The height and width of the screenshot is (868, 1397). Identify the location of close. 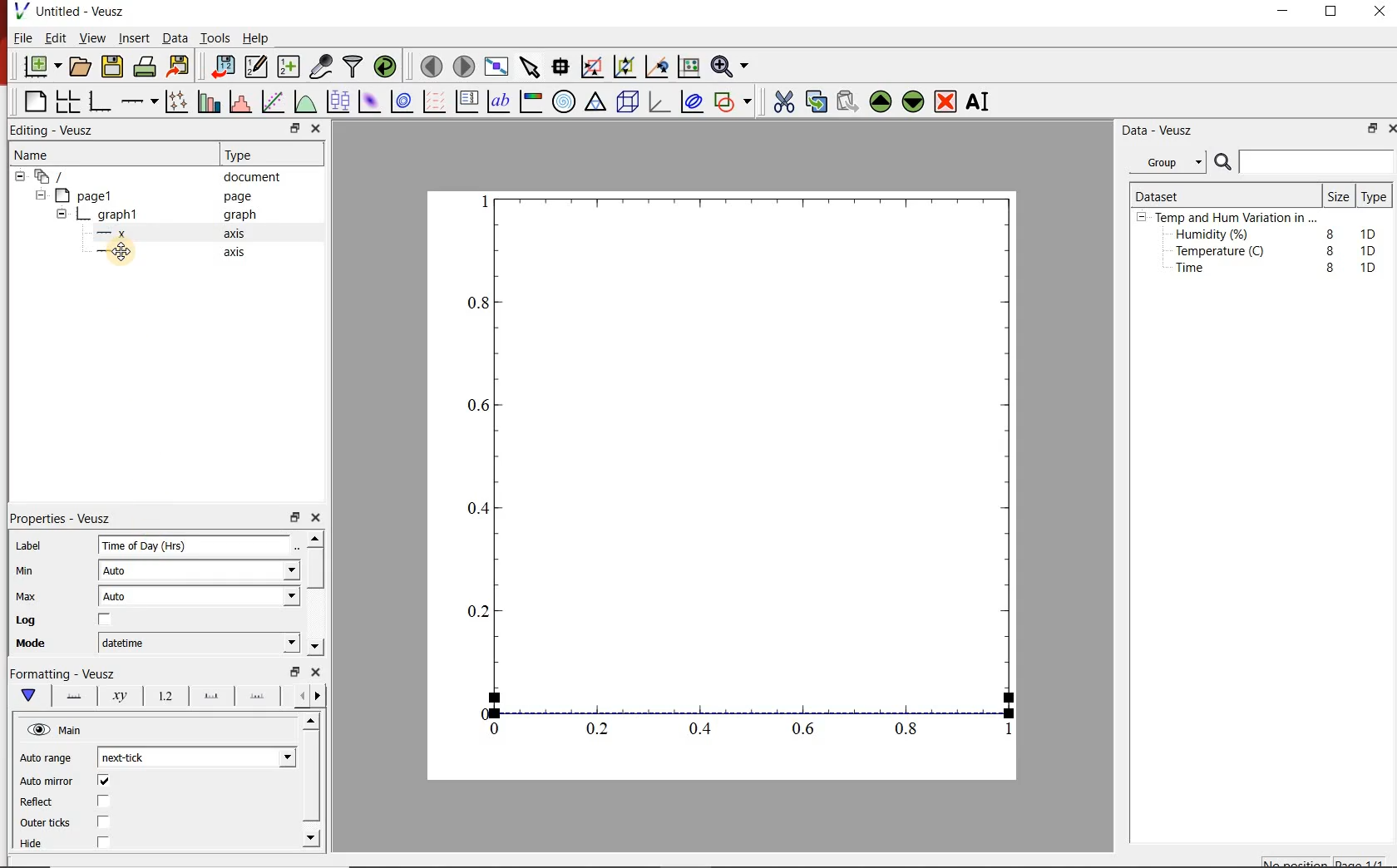
(317, 128).